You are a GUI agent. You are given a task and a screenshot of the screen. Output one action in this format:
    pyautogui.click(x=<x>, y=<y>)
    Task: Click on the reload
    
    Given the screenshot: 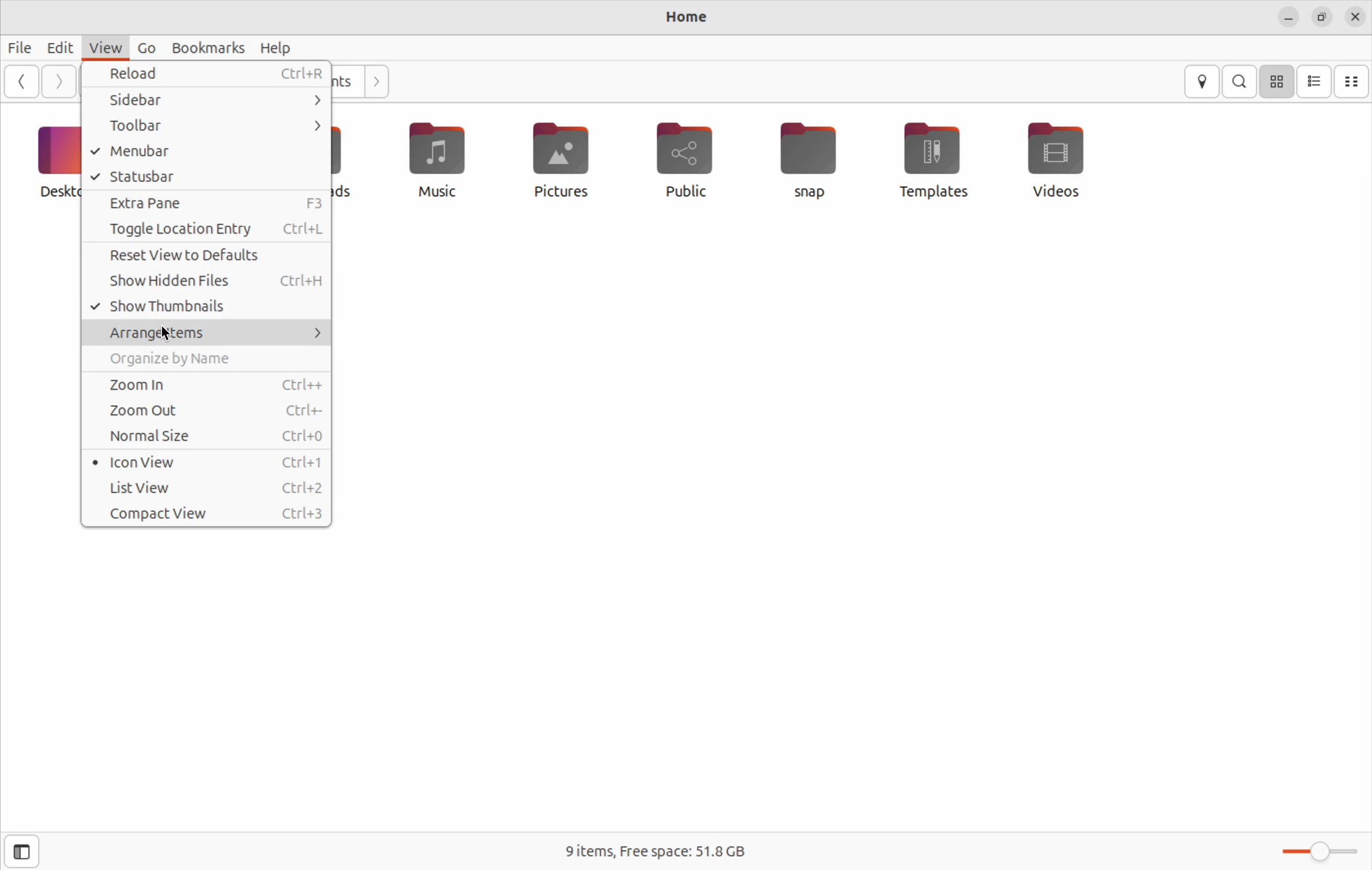 What is the action you would take?
    pyautogui.click(x=214, y=74)
    